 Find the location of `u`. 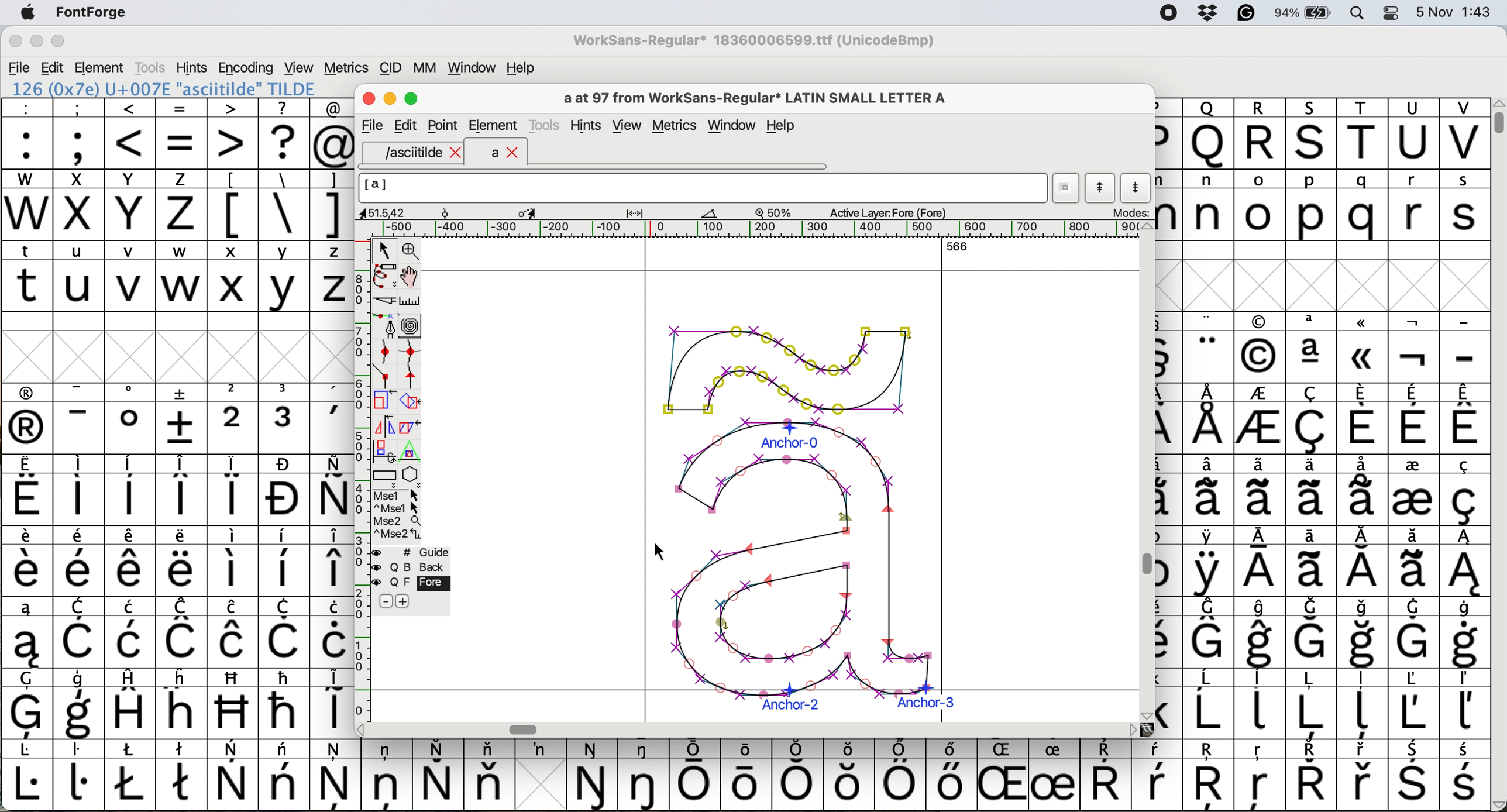

u is located at coordinates (80, 276).